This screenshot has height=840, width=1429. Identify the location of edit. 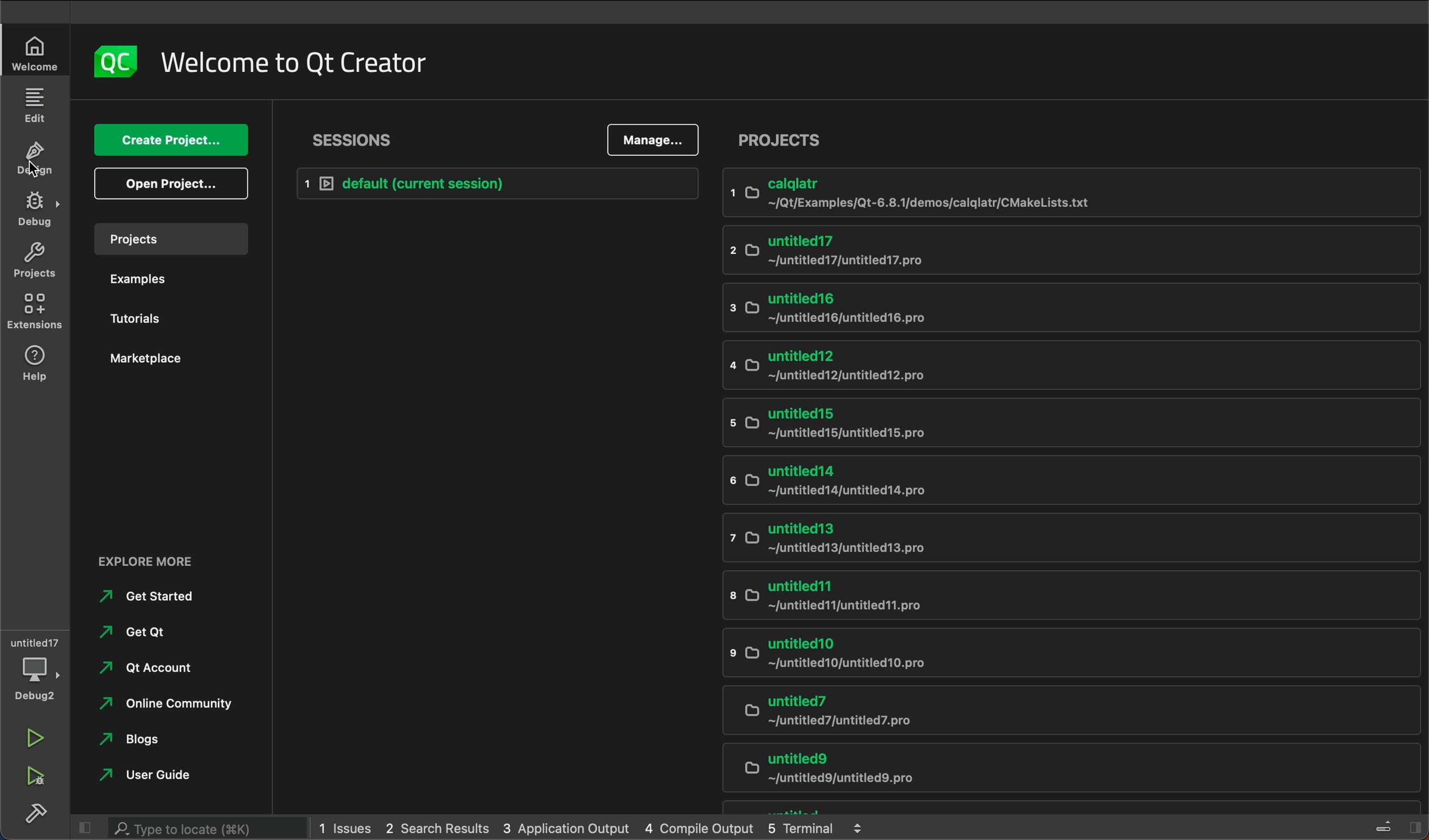
(35, 104).